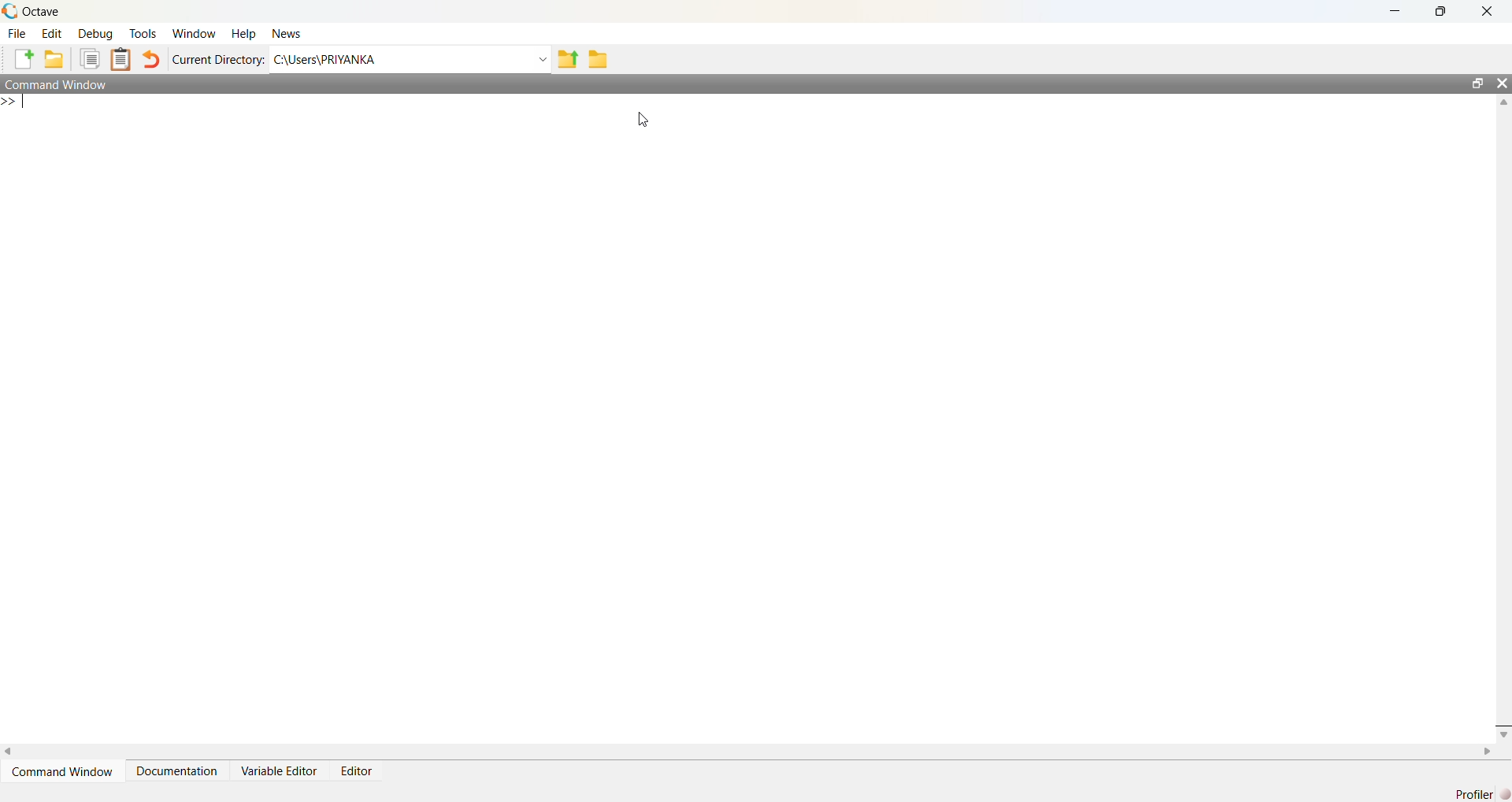 The width and height of the screenshot is (1512, 802). I want to click on Edit, so click(53, 33).